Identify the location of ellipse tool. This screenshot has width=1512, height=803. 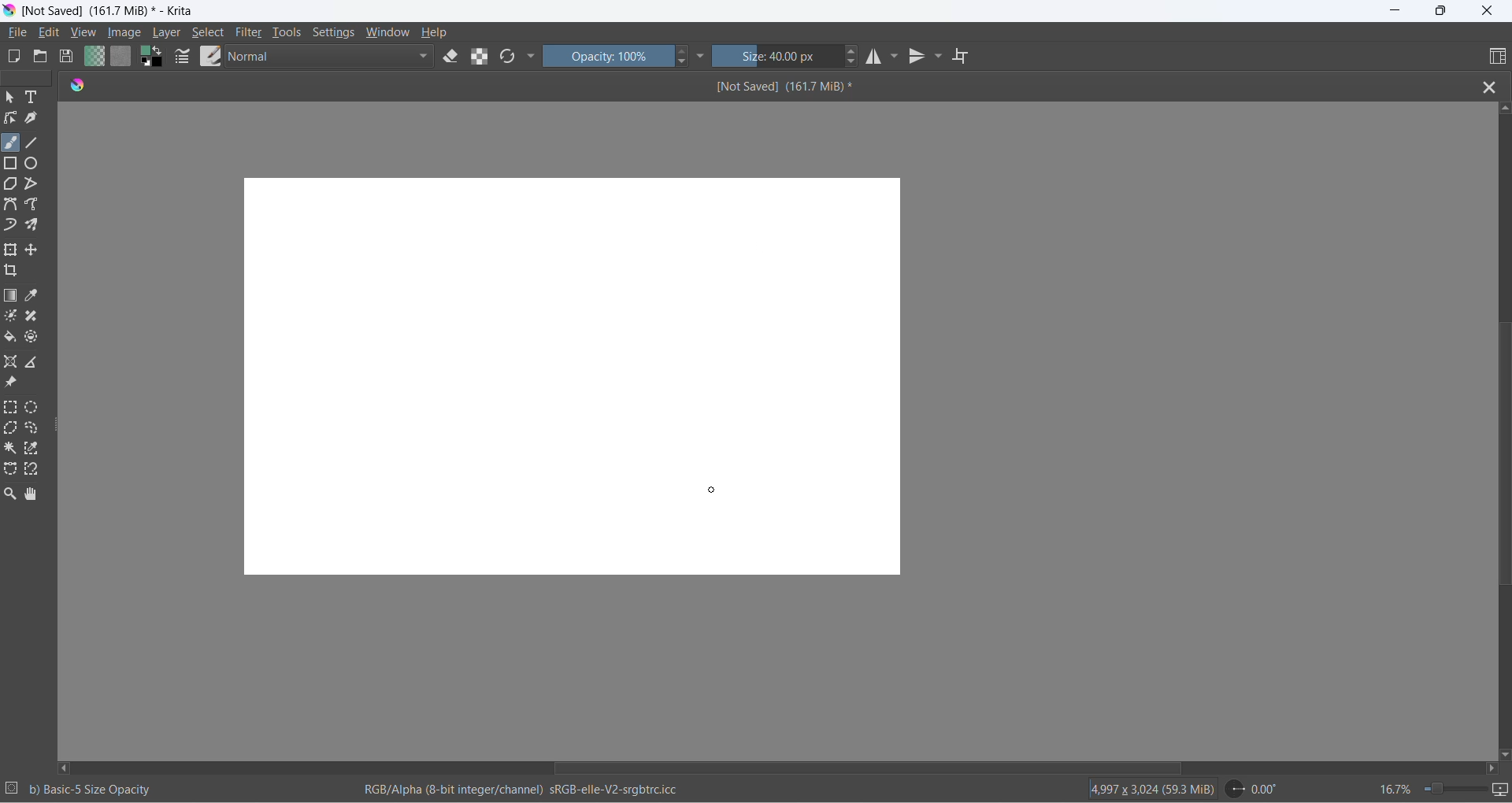
(32, 162).